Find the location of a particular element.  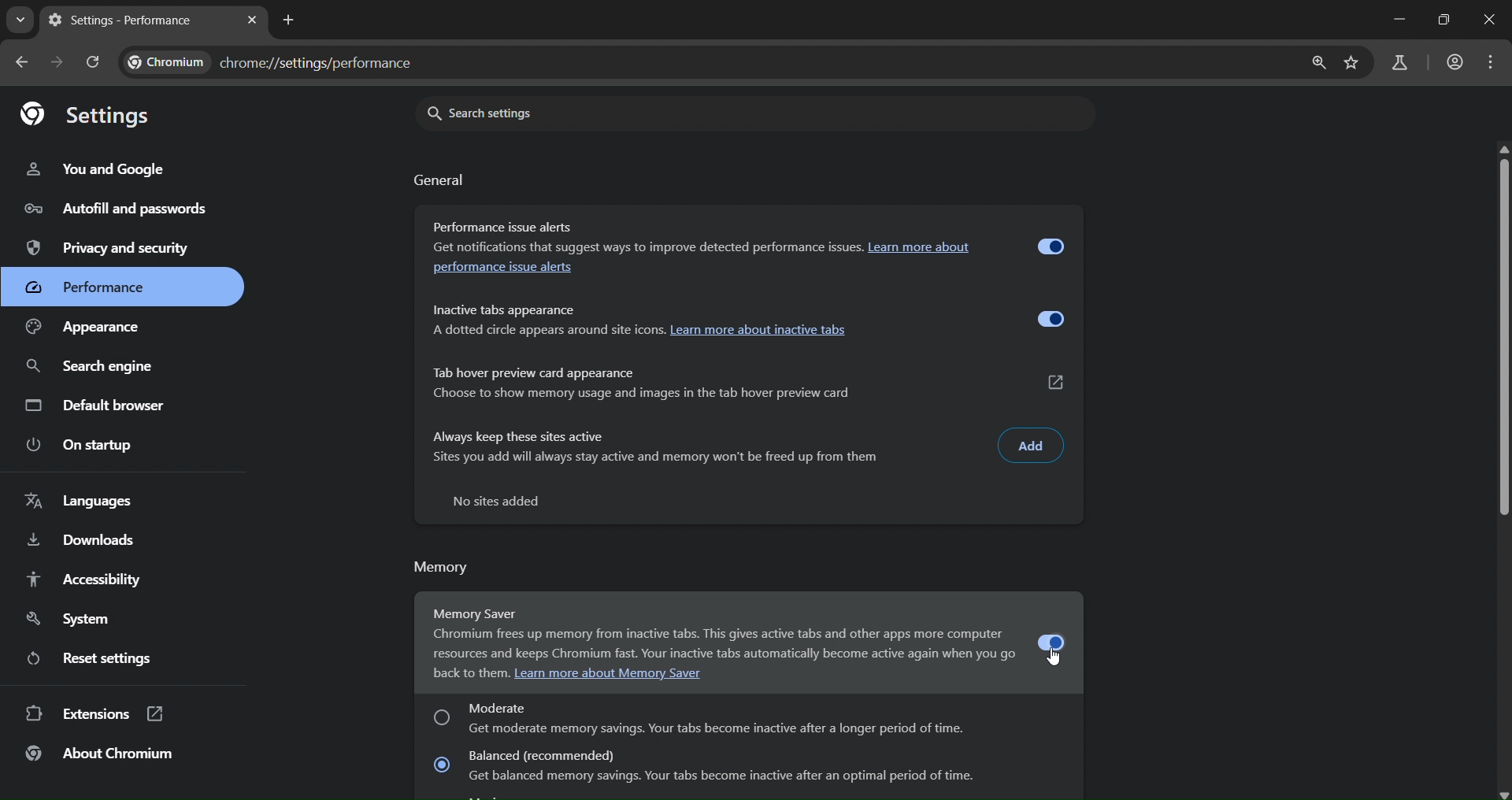

close tab is located at coordinates (254, 22).